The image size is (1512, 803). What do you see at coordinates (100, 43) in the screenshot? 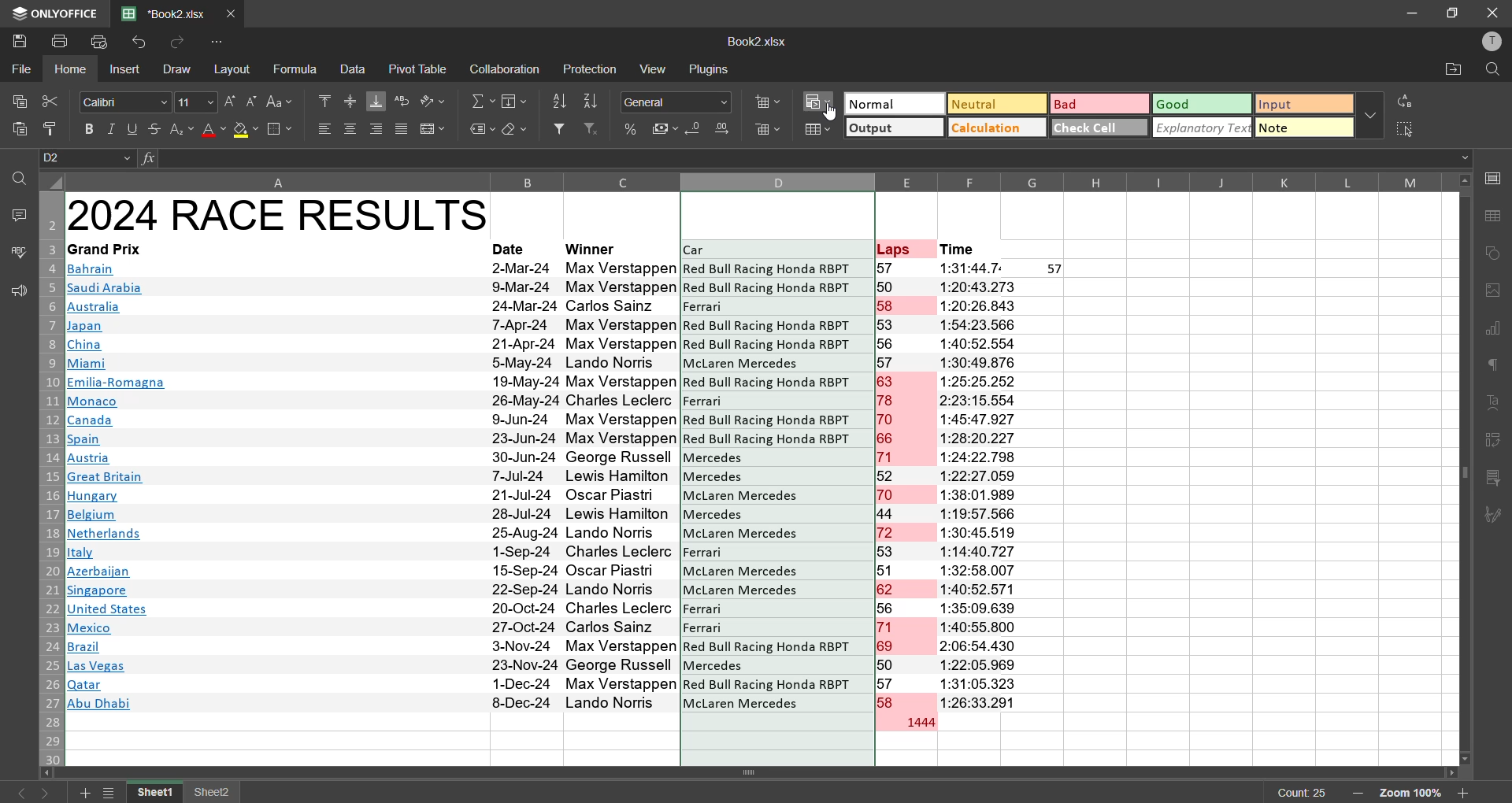
I see `quick print` at bounding box center [100, 43].